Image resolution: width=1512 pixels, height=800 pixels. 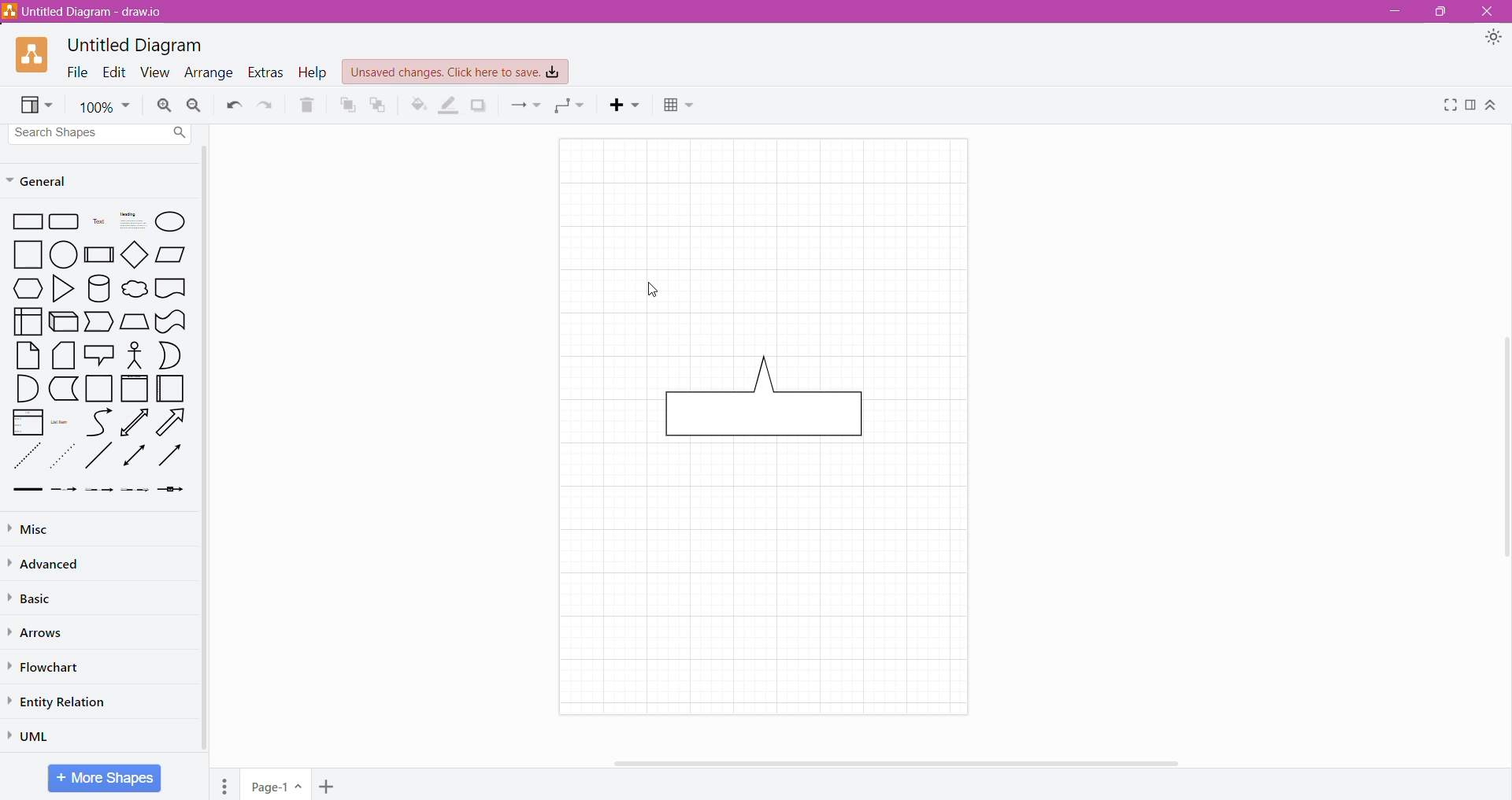 What do you see at coordinates (268, 105) in the screenshot?
I see `Redo` at bounding box center [268, 105].